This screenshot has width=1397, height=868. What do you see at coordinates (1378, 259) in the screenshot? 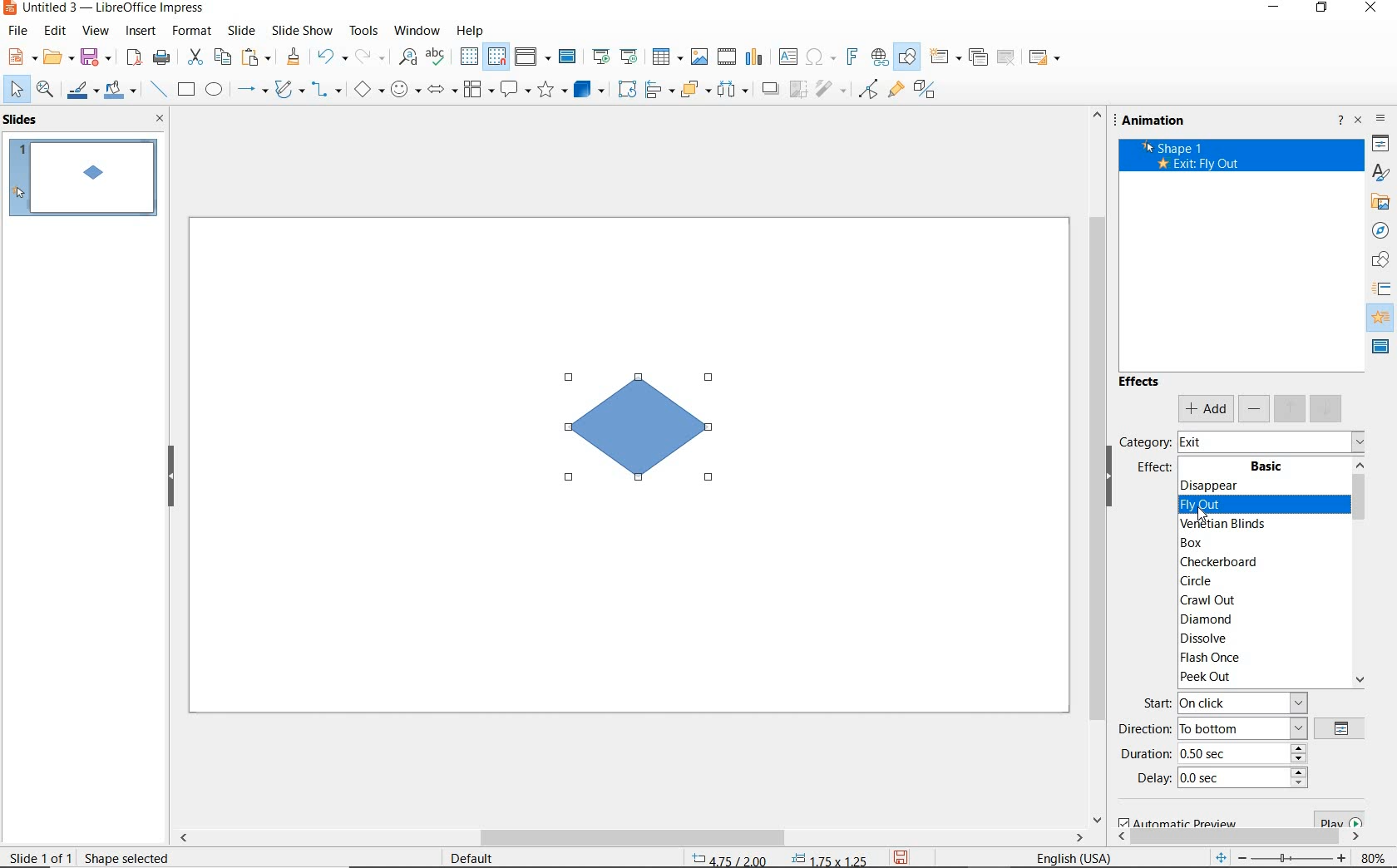
I see `shapes` at bounding box center [1378, 259].